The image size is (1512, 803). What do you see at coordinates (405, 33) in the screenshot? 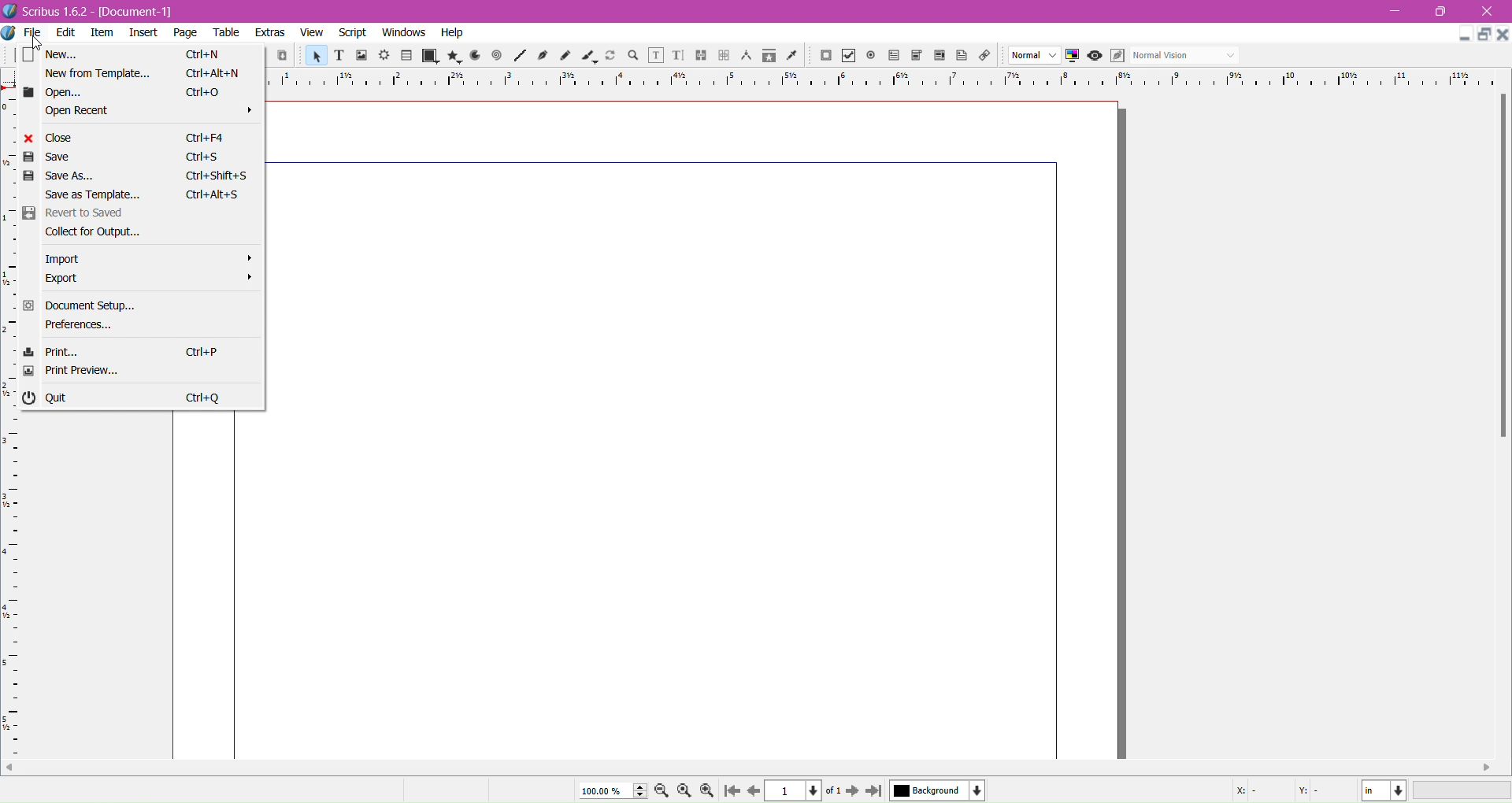
I see `Windows` at bounding box center [405, 33].